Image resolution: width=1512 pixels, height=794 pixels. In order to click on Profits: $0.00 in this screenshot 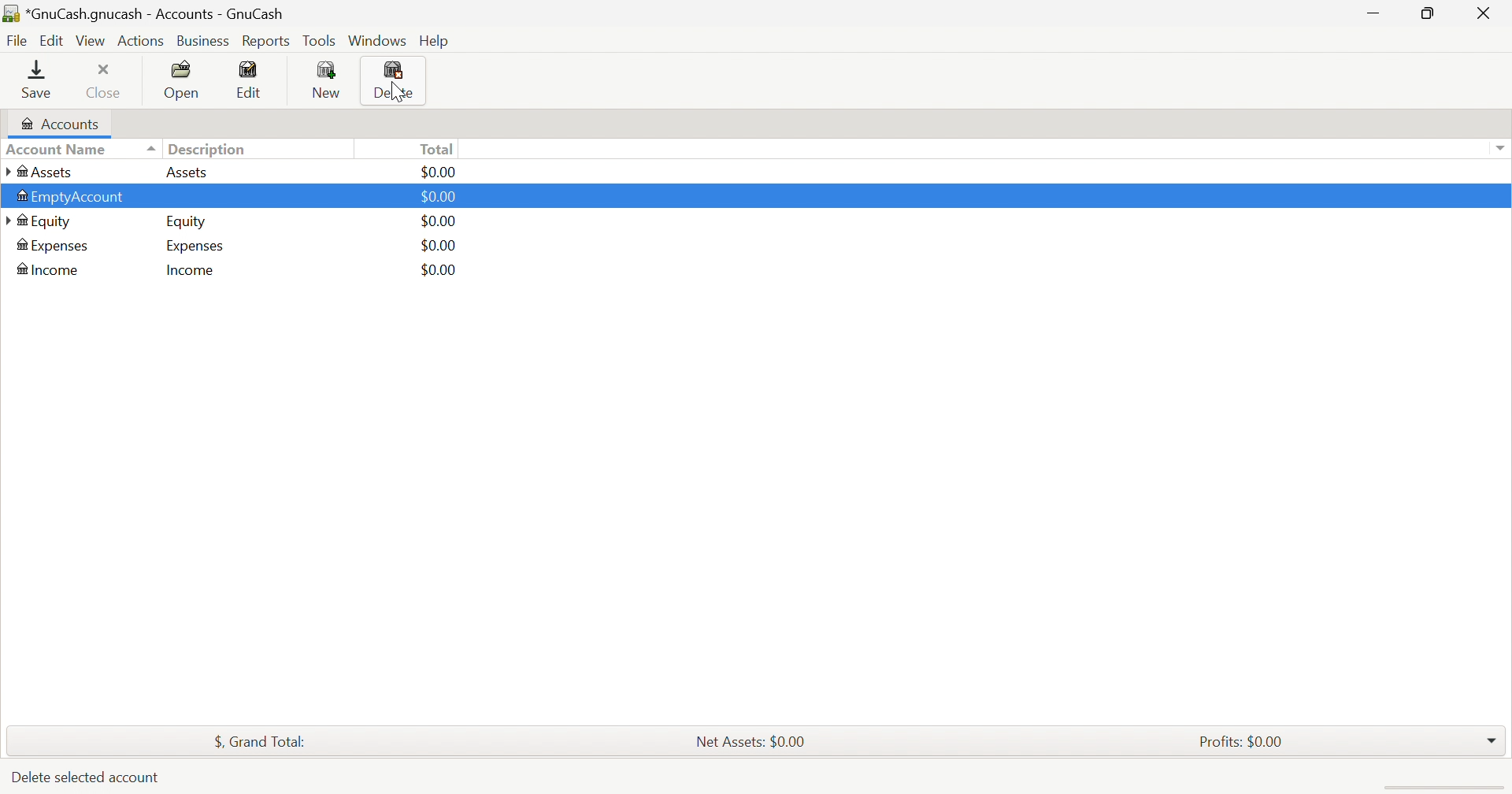, I will do `click(1244, 742)`.